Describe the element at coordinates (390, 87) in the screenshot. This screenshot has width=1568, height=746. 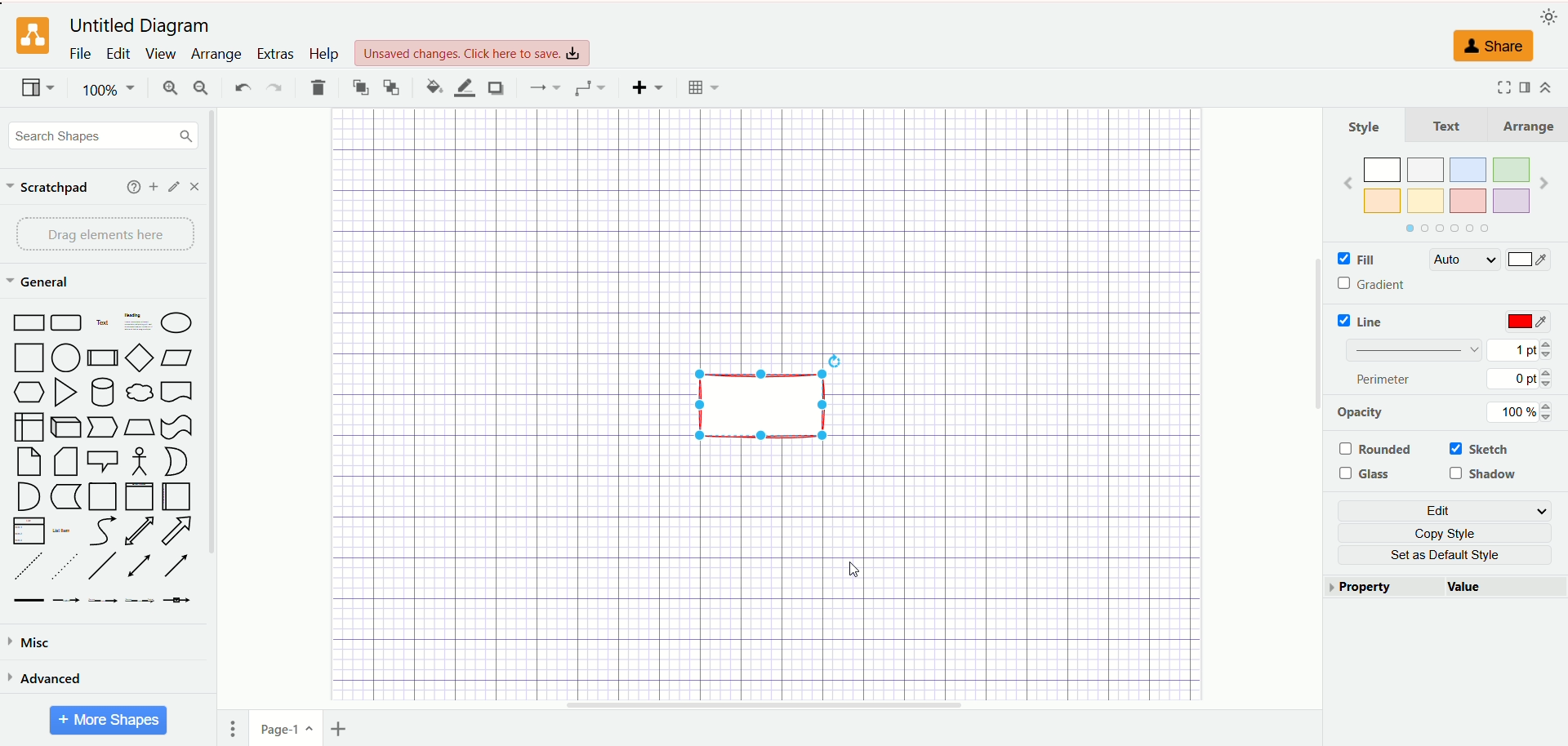
I see `to back` at that location.